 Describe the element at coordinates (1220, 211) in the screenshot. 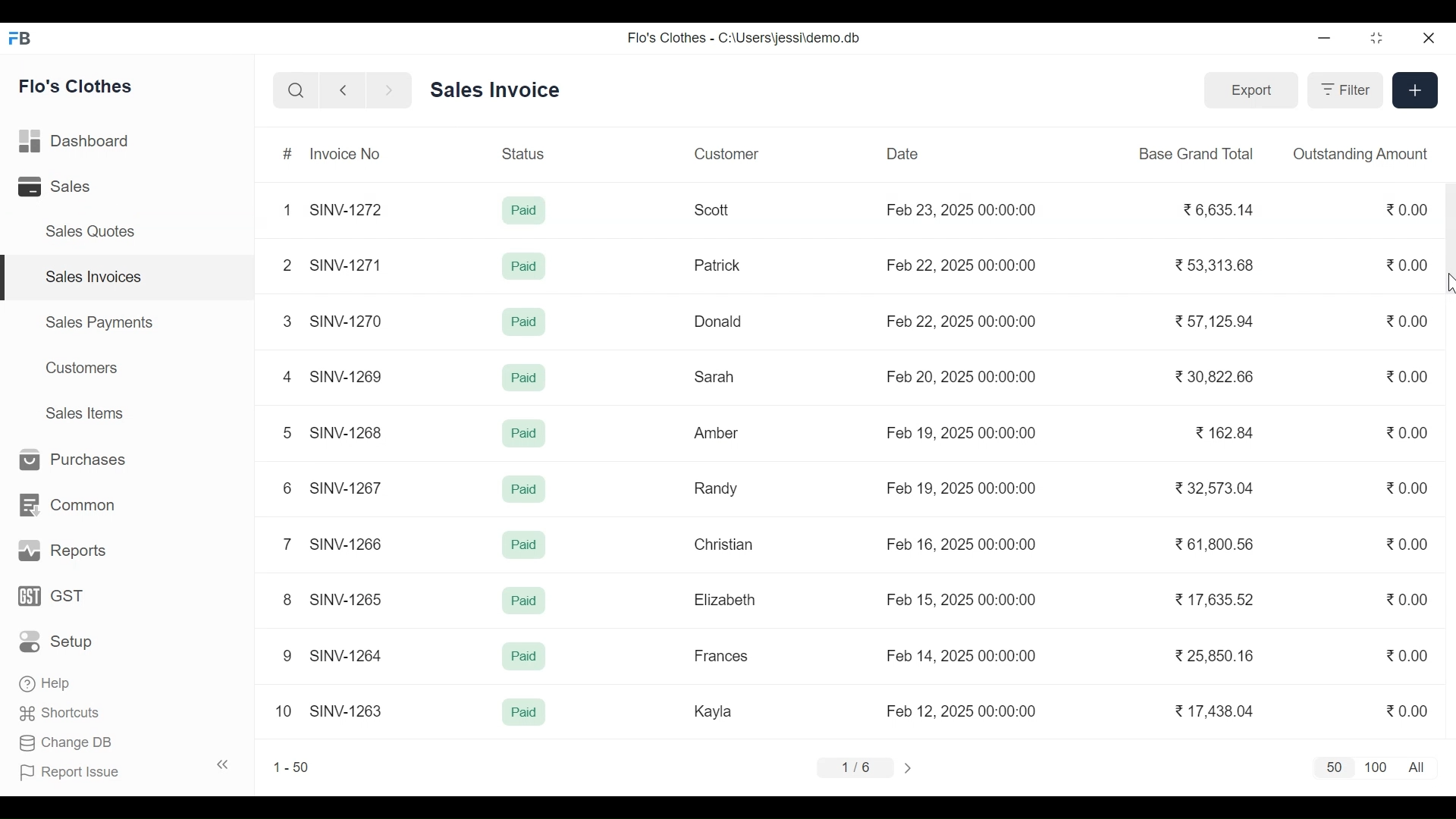

I see `6,635.14` at that location.